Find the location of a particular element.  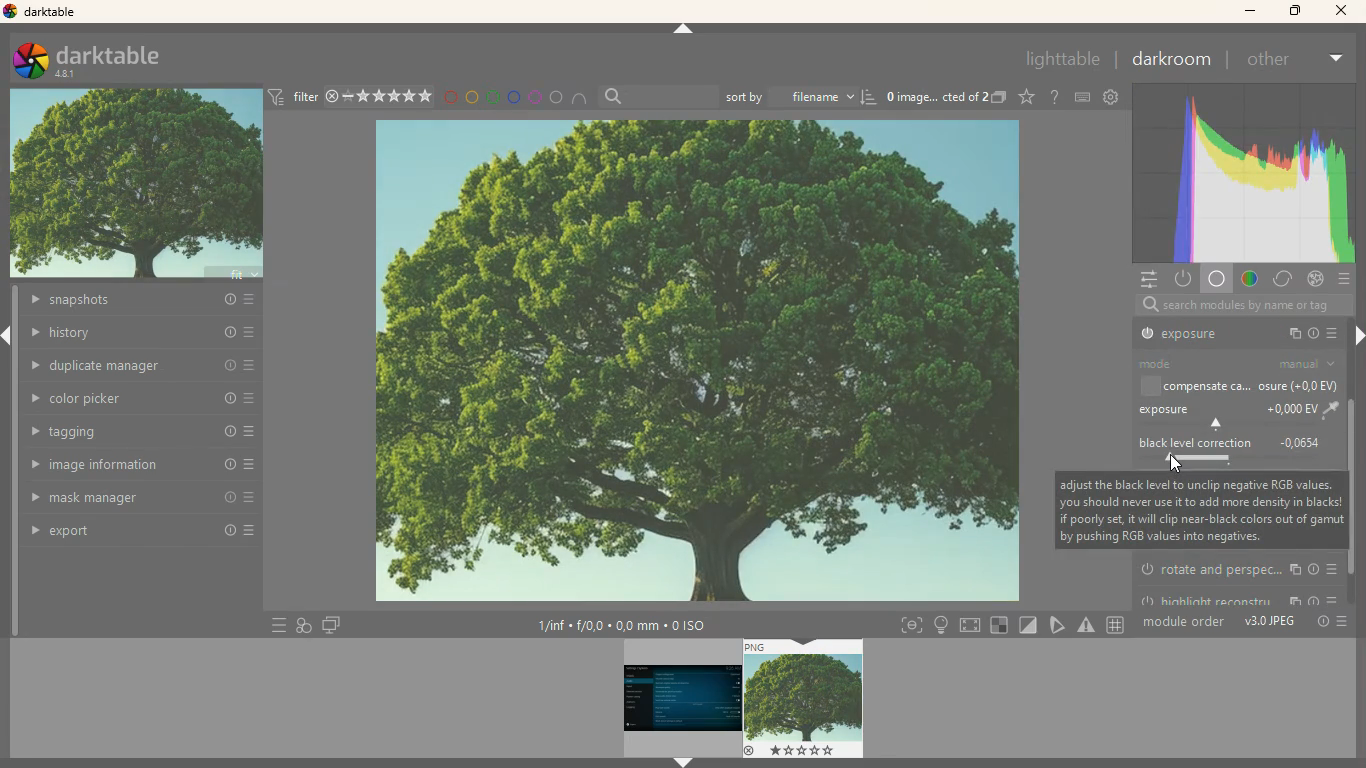

mask manager is located at coordinates (137, 500).